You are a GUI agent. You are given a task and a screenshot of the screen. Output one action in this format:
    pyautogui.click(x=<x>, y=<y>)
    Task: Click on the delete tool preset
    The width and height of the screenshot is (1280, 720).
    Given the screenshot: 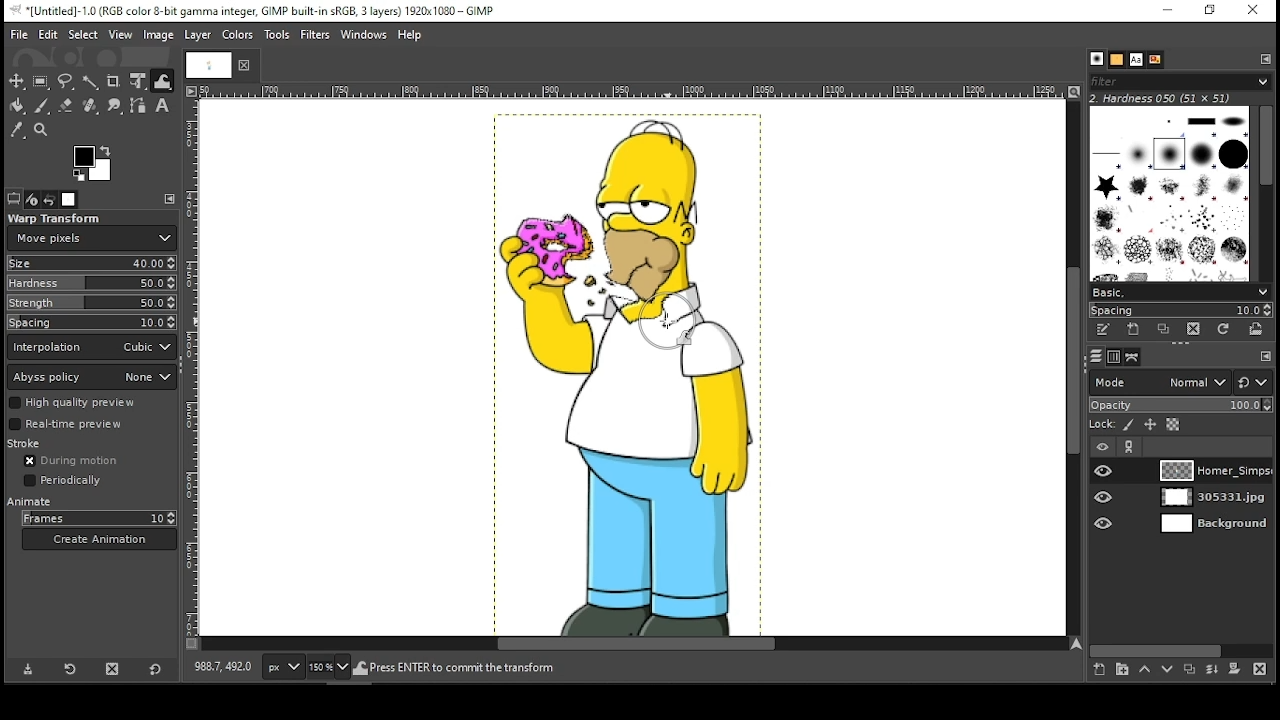 What is the action you would take?
    pyautogui.click(x=111, y=670)
    